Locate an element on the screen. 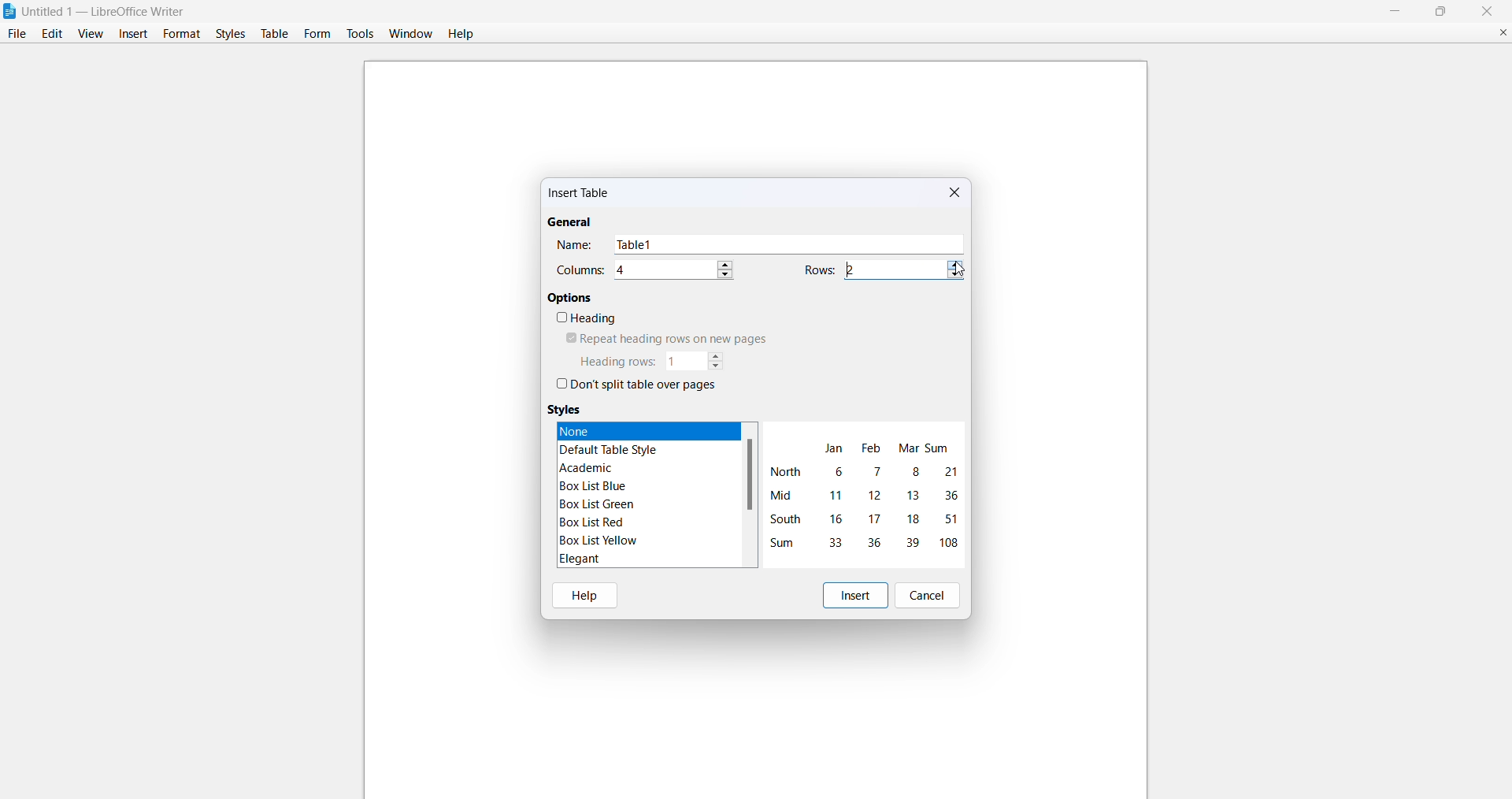 This screenshot has width=1512, height=799. insert is located at coordinates (854, 594).